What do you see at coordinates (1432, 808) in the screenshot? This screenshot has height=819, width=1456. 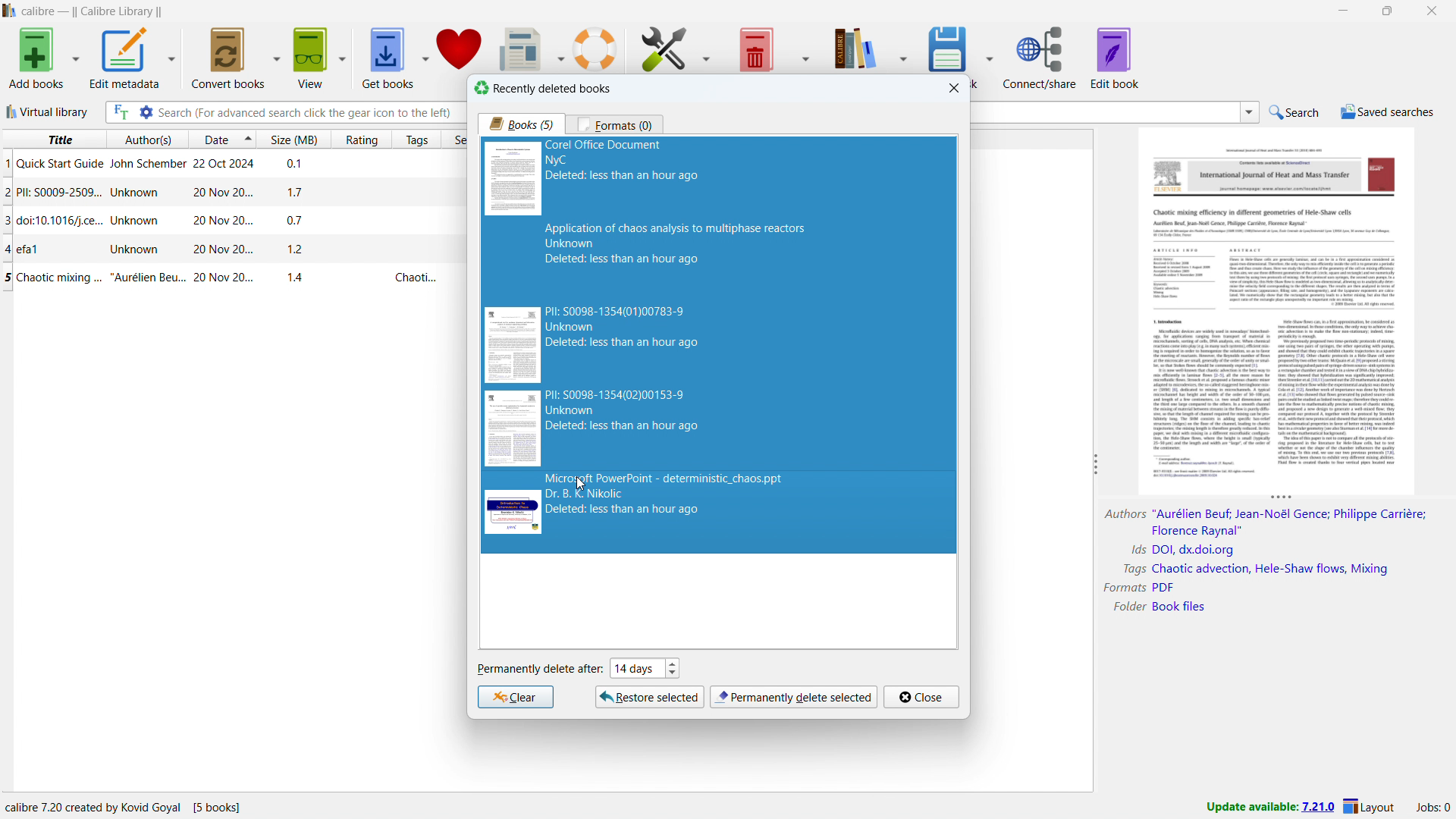 I see `active jobs` at bounding box center [1432, 808].